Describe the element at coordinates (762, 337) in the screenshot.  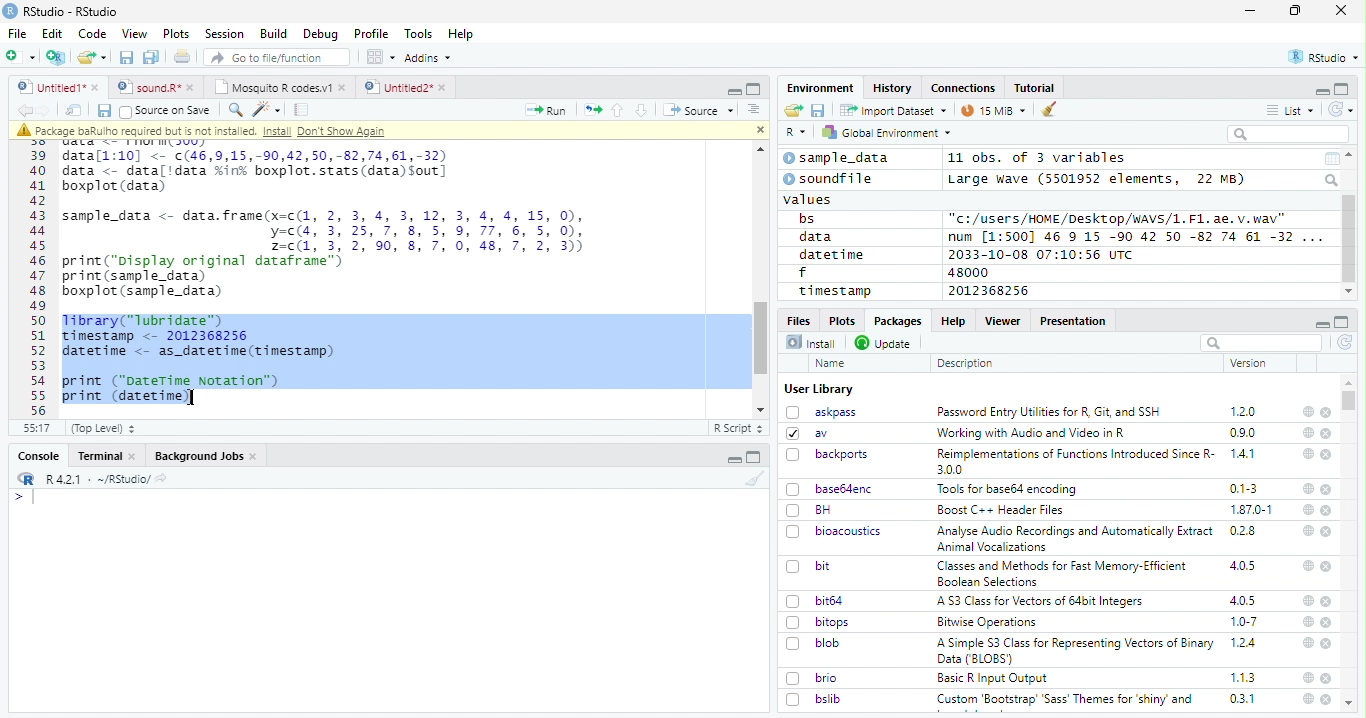
I see `scroll bar` at that location.